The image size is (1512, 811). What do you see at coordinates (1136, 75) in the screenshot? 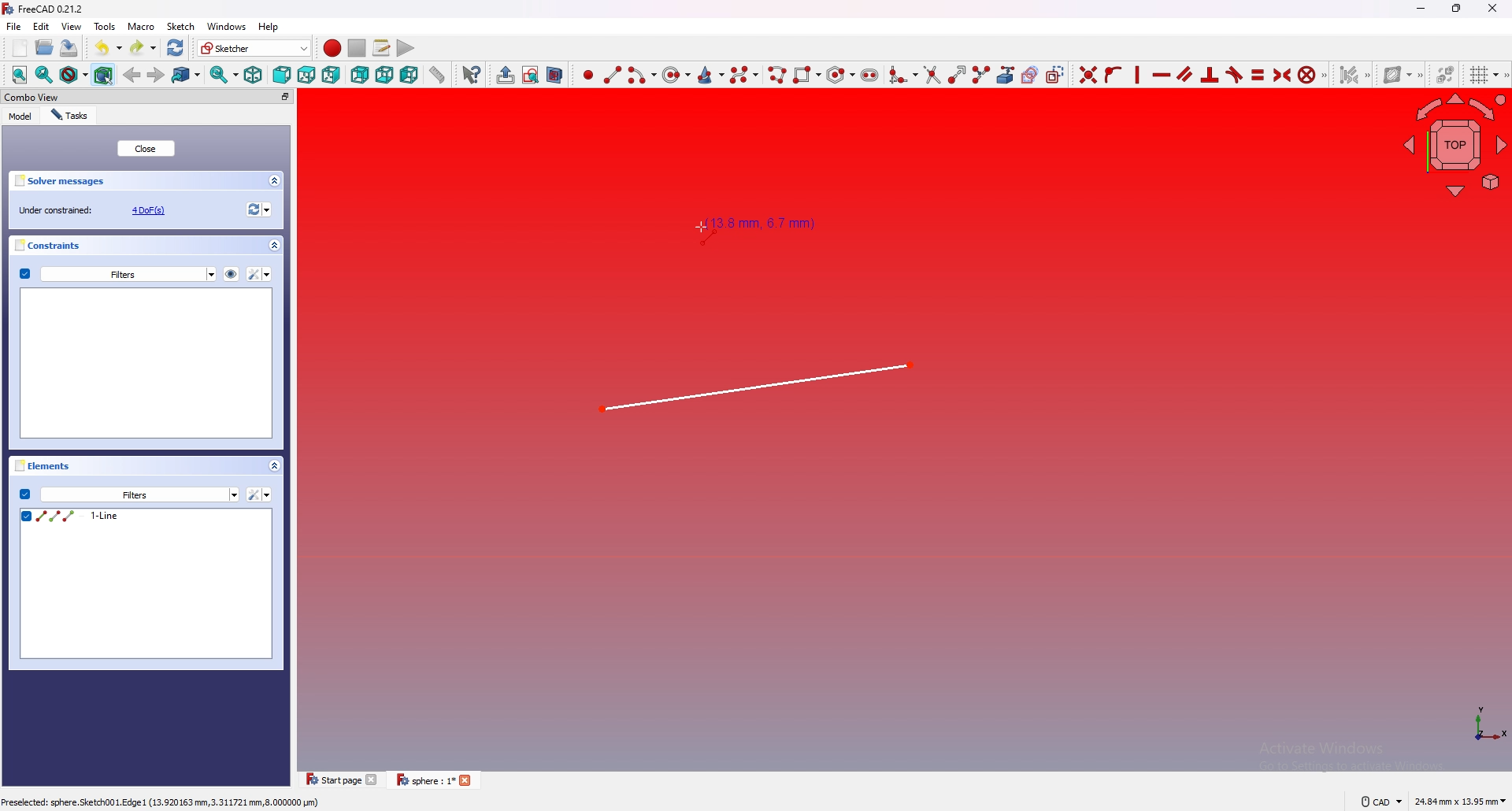
I see `Constrain vertically` at bounding box center [1136, 75].